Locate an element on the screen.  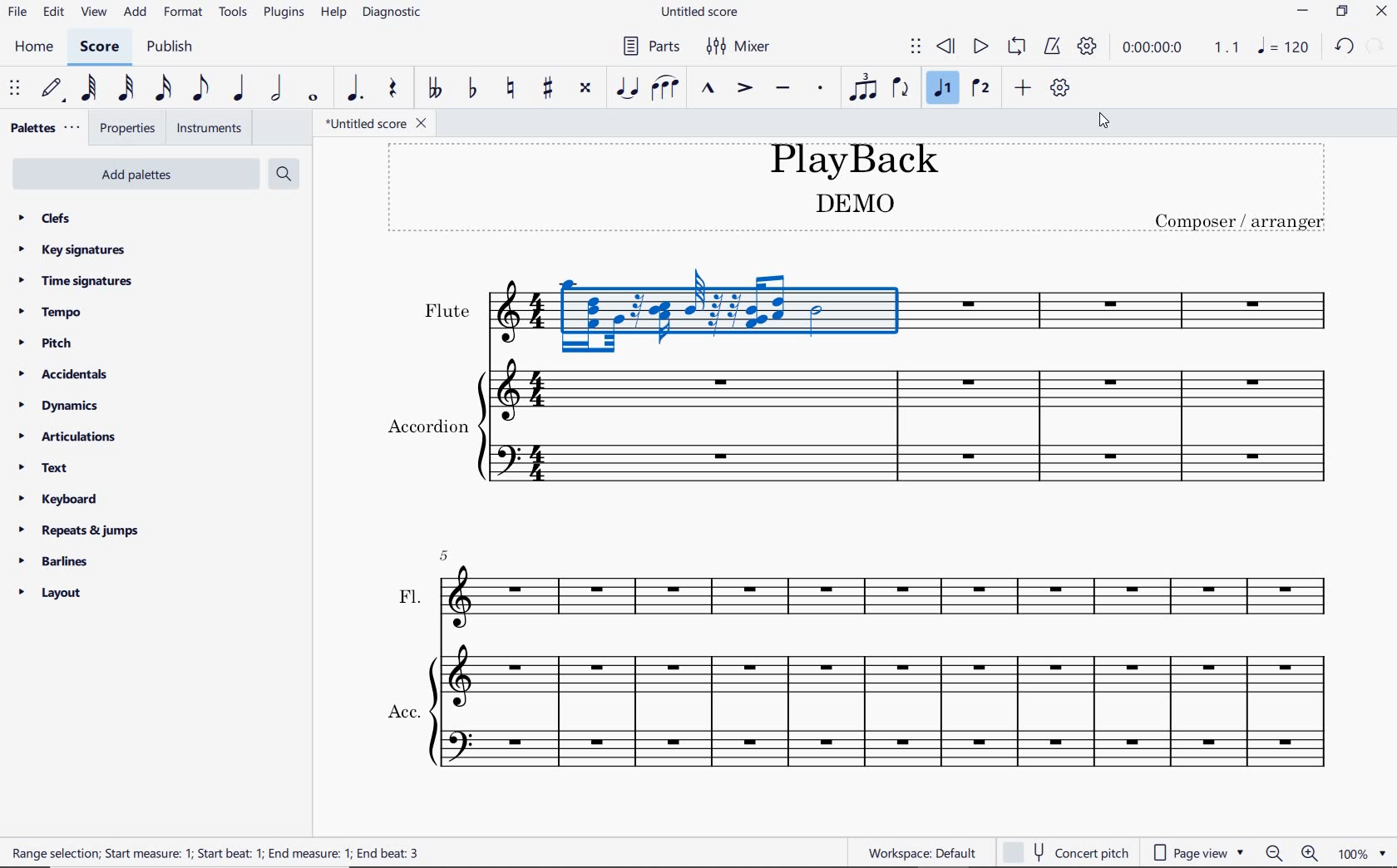
Workspace: Default is located at coordinates (927, 851).